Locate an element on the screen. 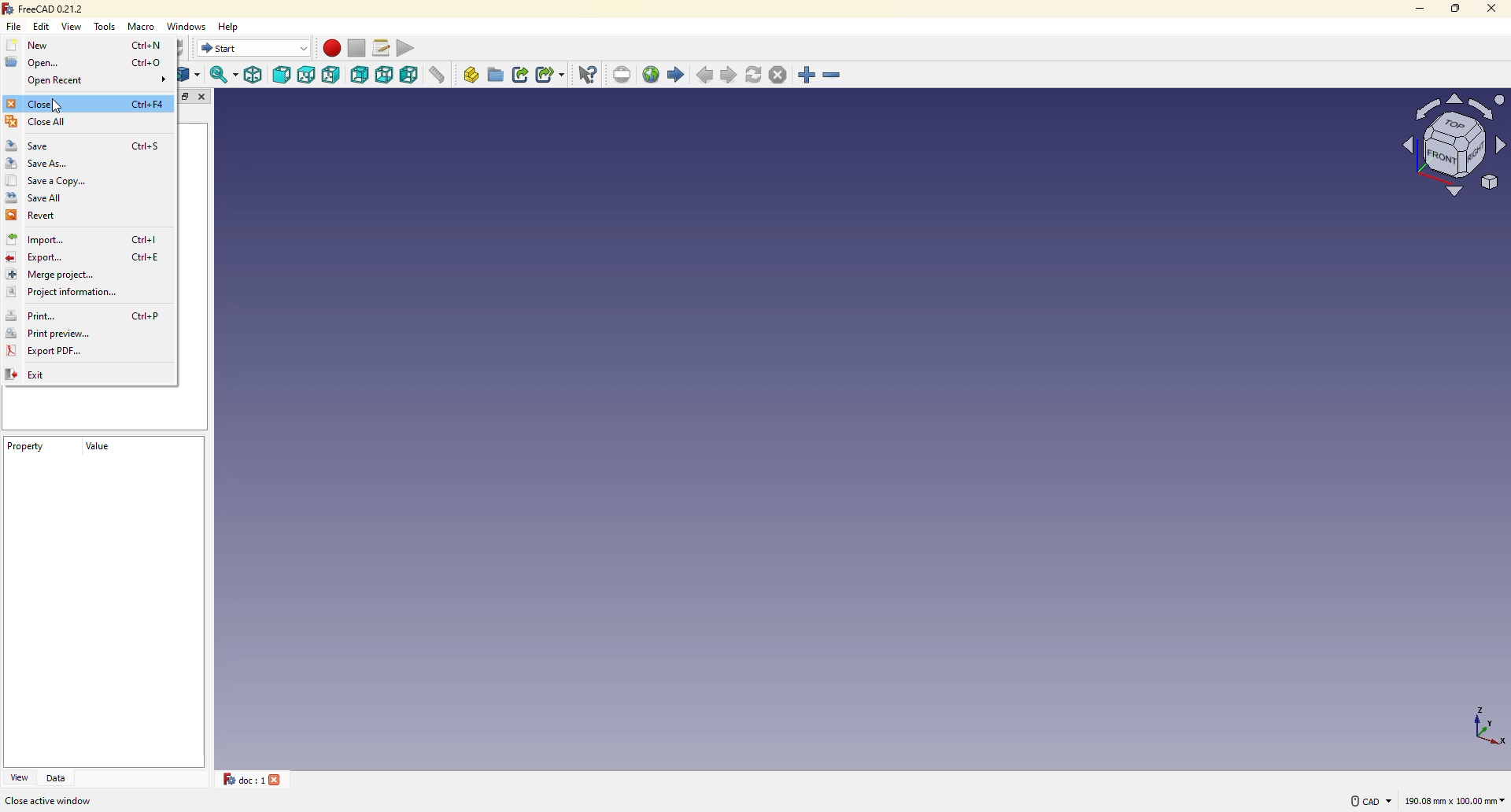 The width and height of the screenshot is (1511, 812). ctrl+s is located at coordinates (147, 146).